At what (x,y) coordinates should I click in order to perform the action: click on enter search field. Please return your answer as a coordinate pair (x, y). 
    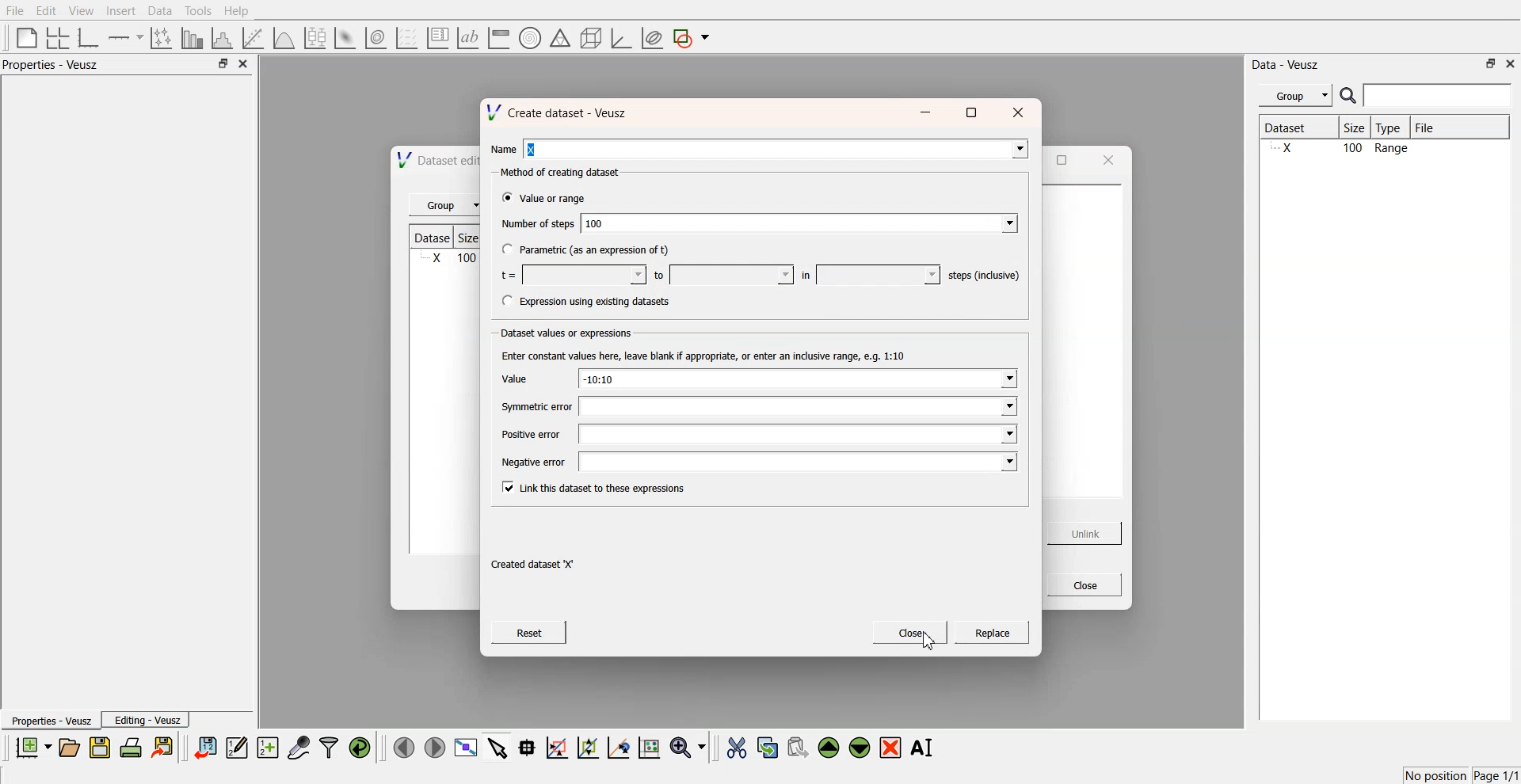
    Looking at the image, I should click on (1439, 96).